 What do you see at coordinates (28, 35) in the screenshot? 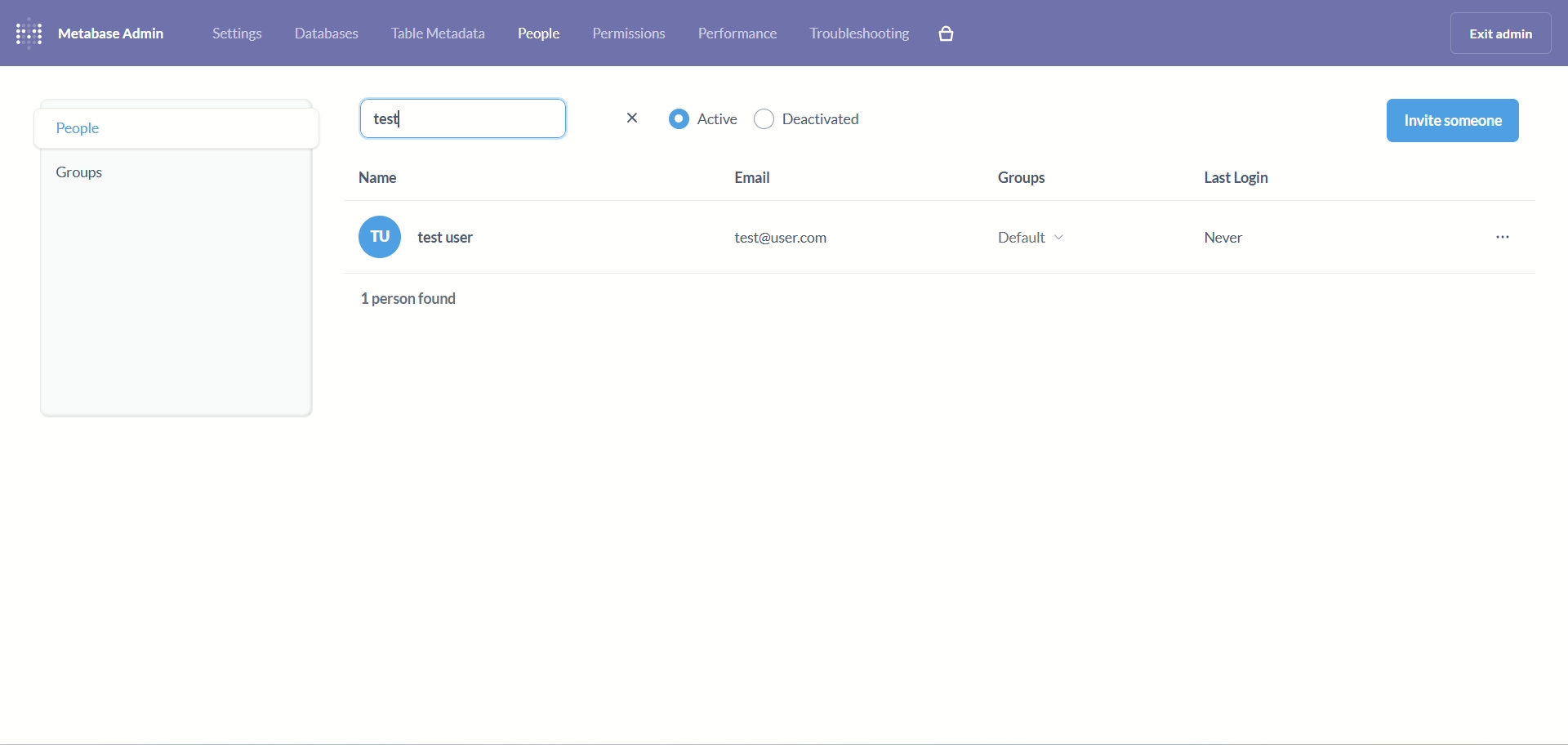
I see `logo` at bounding box center [28, 35].